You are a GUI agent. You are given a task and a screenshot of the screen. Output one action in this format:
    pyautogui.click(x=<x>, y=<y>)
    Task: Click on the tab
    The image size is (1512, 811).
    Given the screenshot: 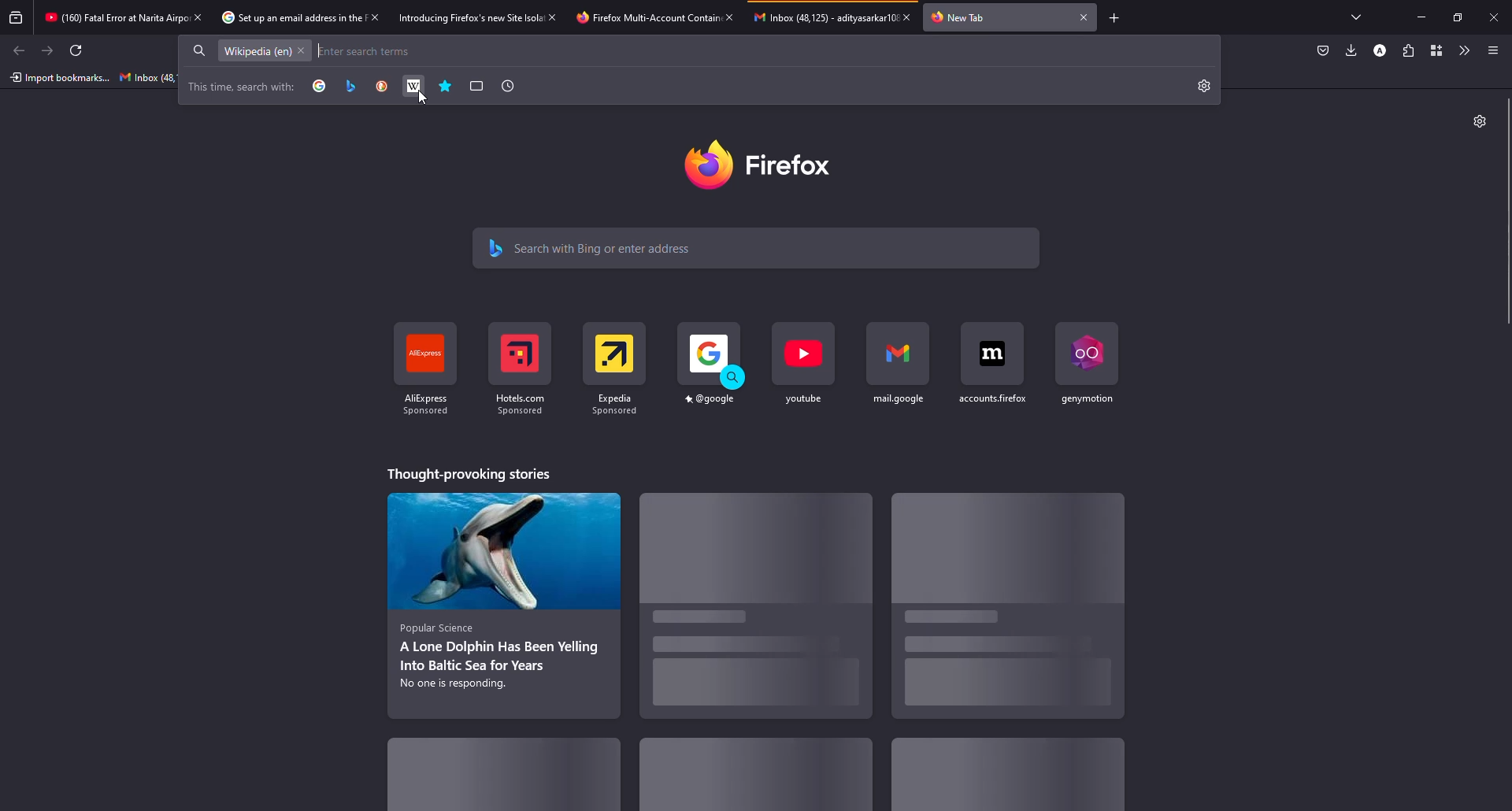 What is the action you would take?
    pyautogui.click(x=817, y=23)
    